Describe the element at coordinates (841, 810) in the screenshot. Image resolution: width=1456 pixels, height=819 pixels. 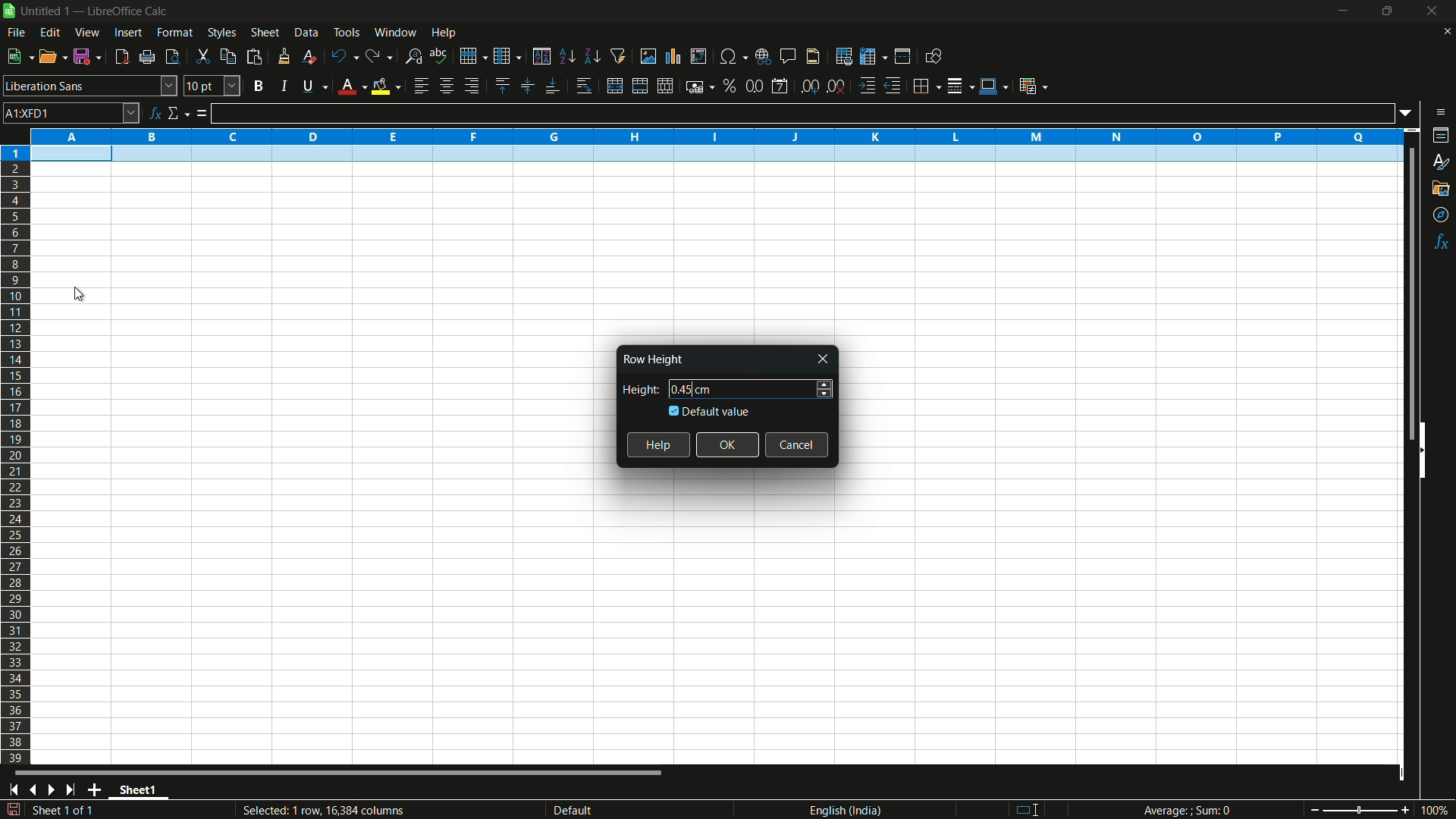
I see `language english(india)` at that location.